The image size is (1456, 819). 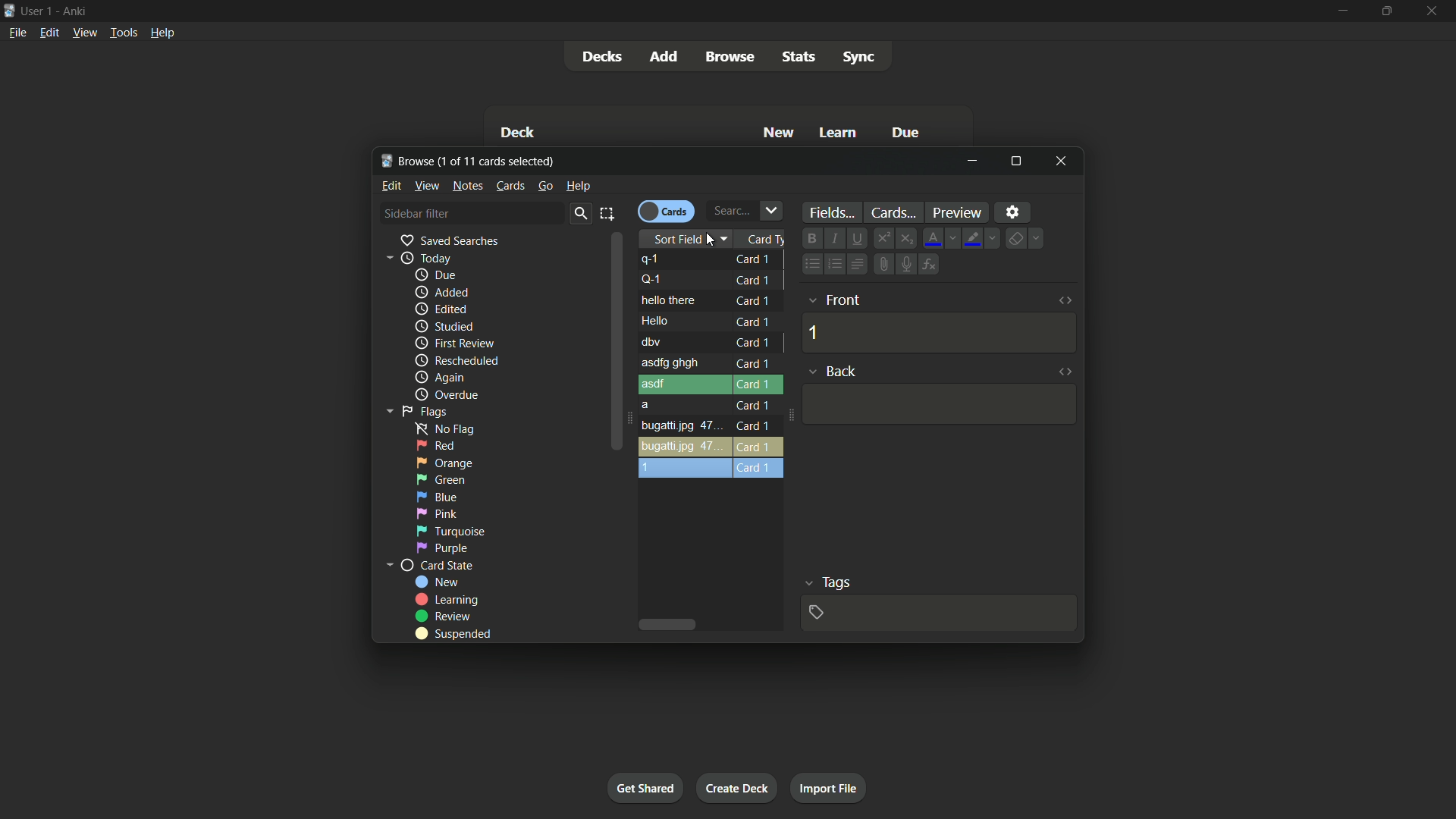 What do you see at coordinates (809, 264) in the screenshot?
I see `unordered list` at bounding box center [809, 264].